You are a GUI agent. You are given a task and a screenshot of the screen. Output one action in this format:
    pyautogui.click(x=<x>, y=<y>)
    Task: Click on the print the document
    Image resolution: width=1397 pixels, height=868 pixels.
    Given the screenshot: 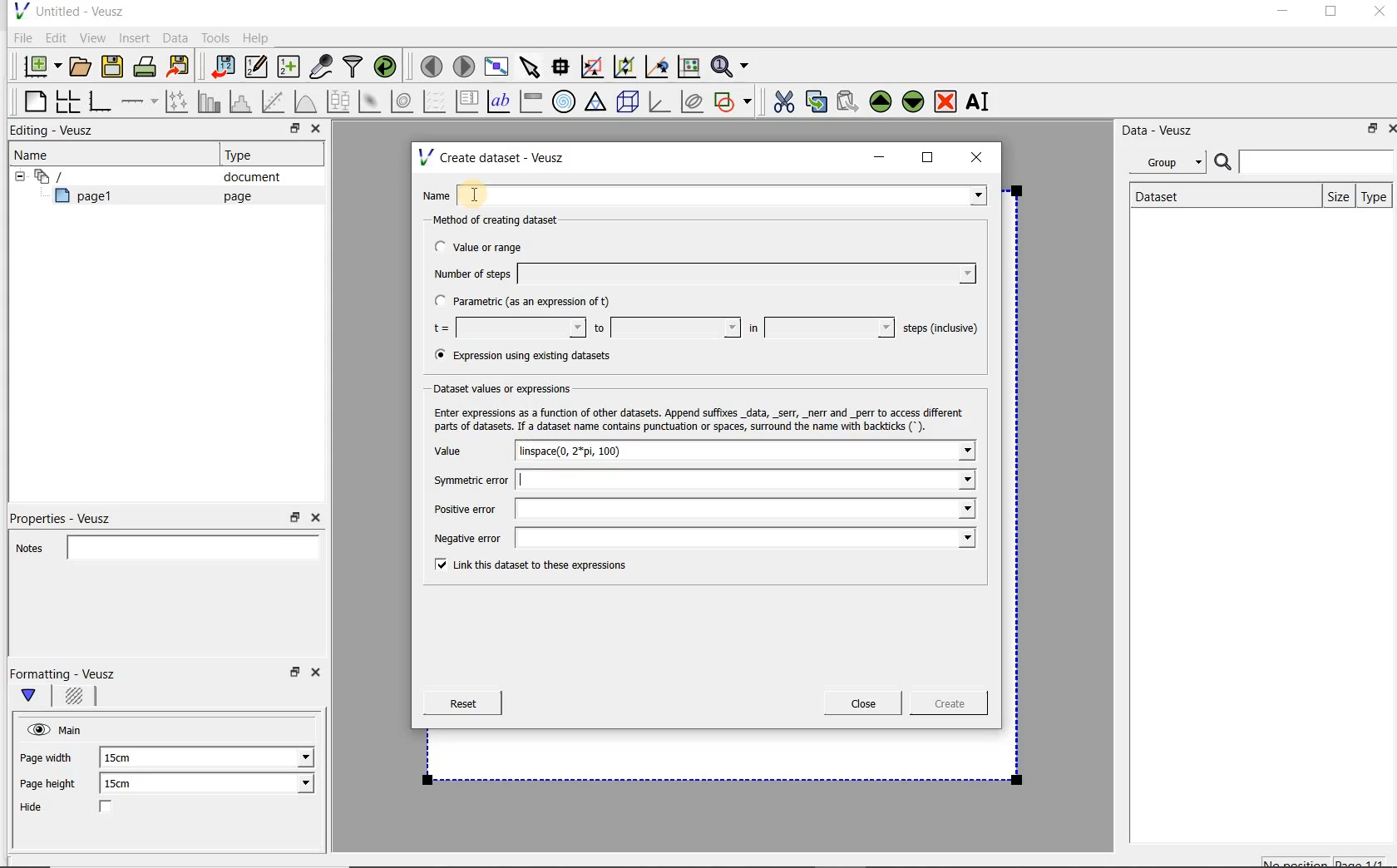 What is the action you would take?
    pyautogui.click(x=148, y=66)
    